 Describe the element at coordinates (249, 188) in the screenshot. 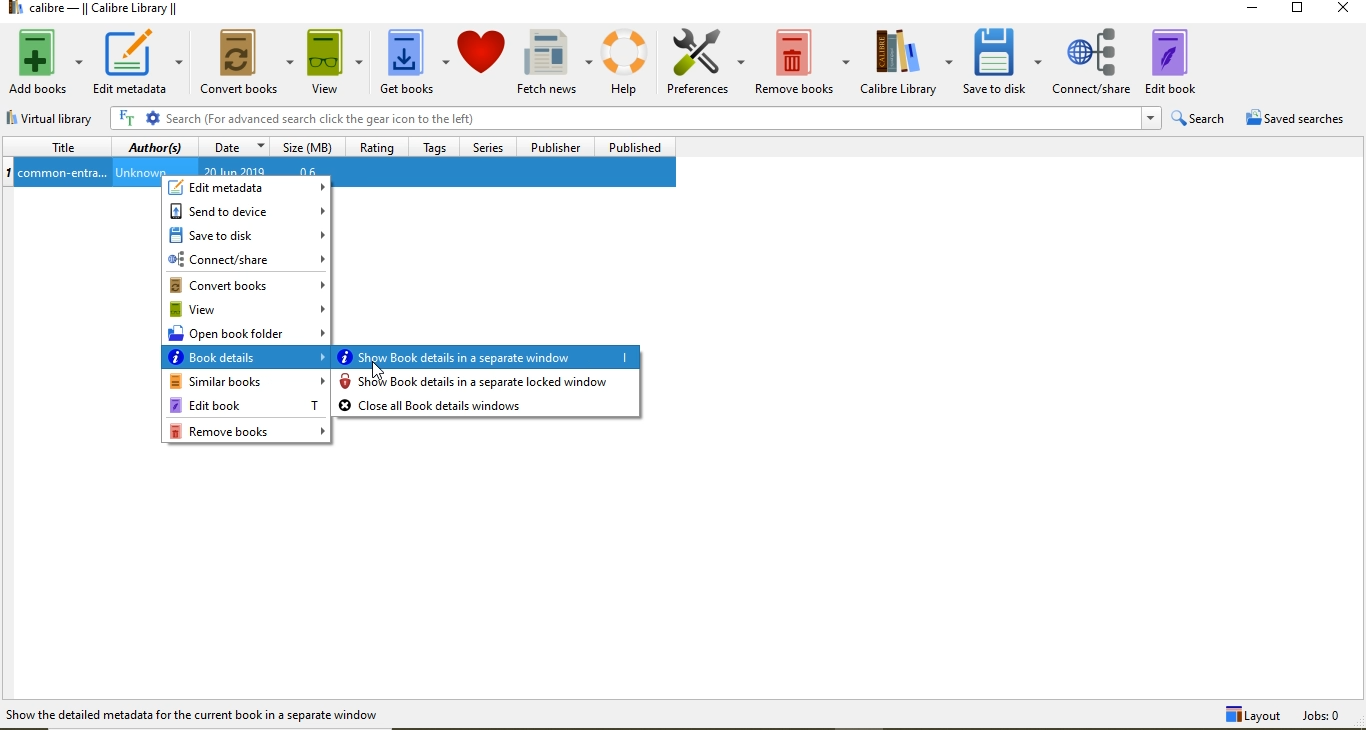

I see `edit metadata` at that location.